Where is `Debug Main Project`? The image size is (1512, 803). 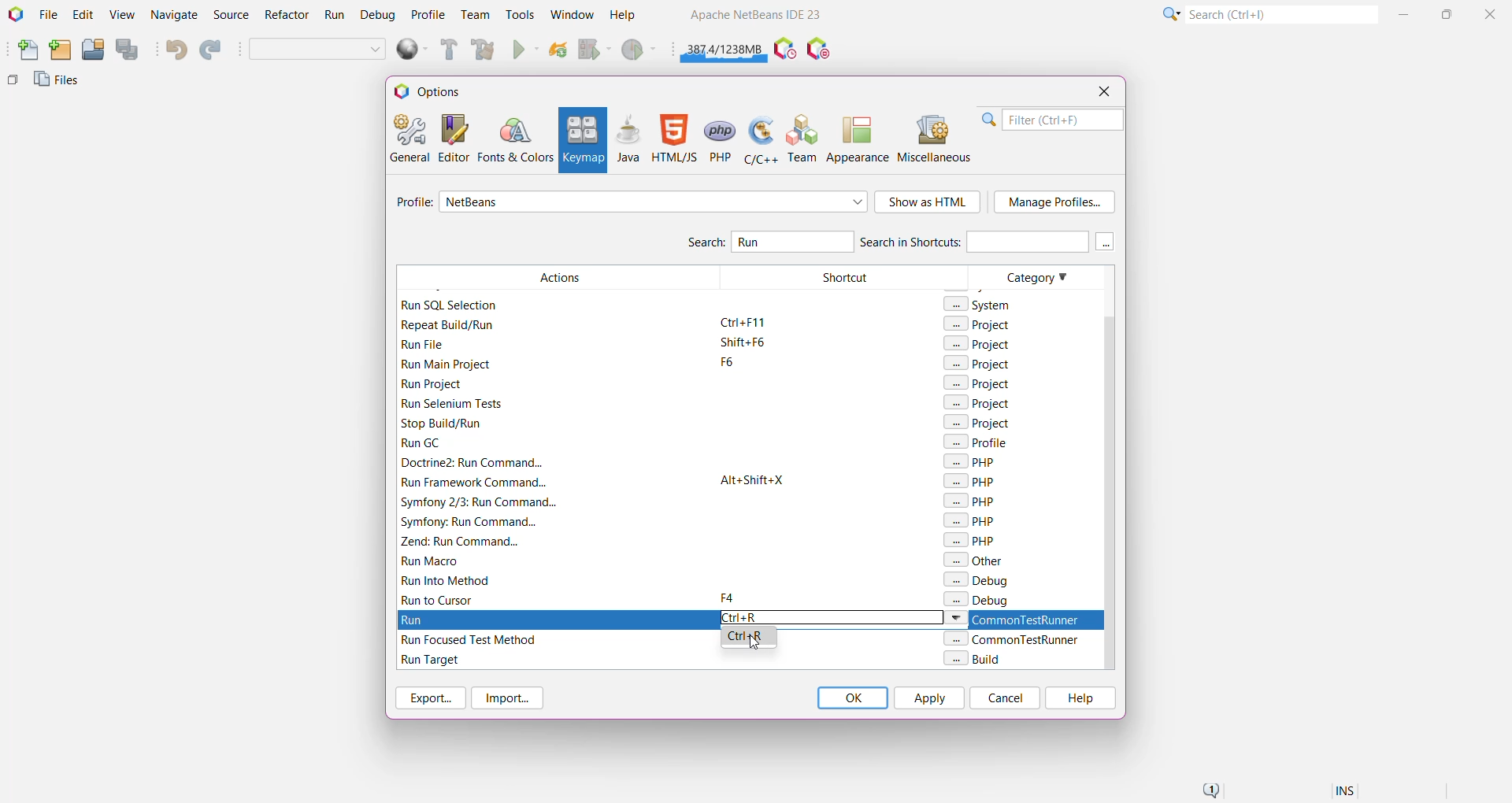 Debug Main Project is located at coordinates (594, 50).